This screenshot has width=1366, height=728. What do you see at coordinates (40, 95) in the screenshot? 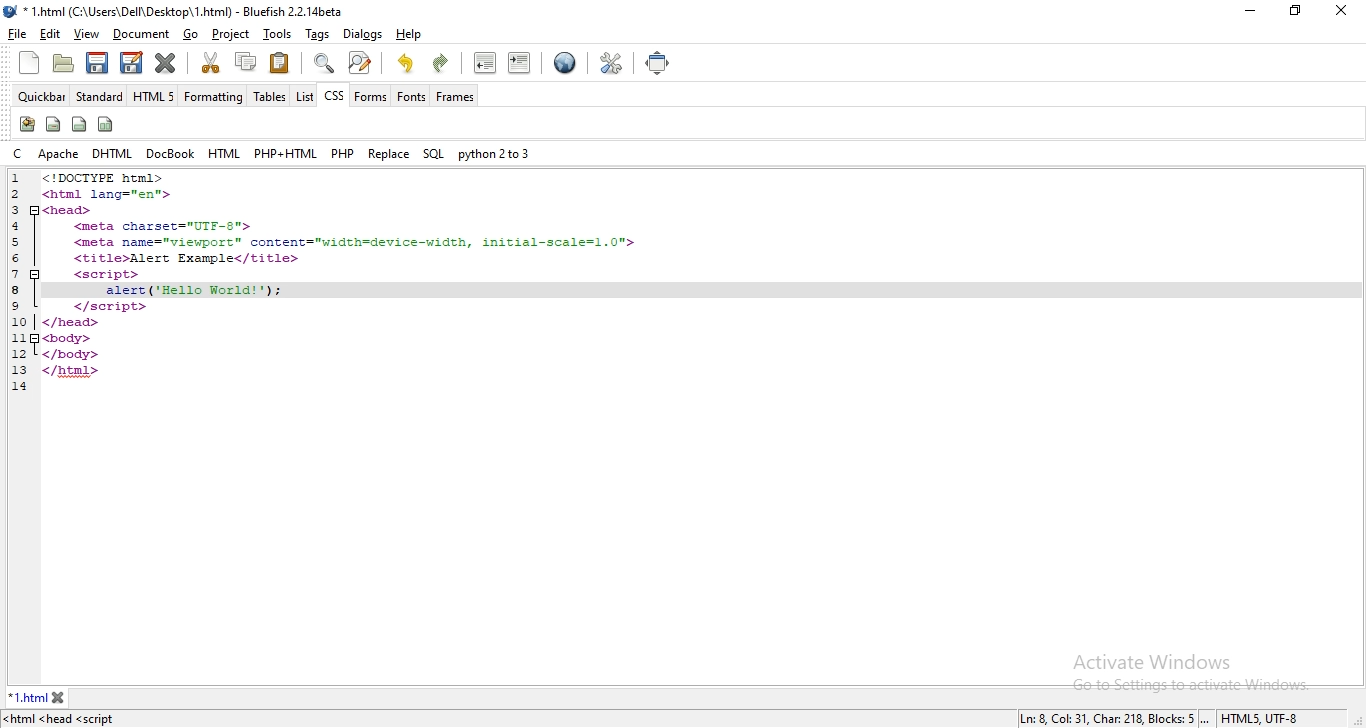
I see `quickbar` at bounding box center [40, 95].